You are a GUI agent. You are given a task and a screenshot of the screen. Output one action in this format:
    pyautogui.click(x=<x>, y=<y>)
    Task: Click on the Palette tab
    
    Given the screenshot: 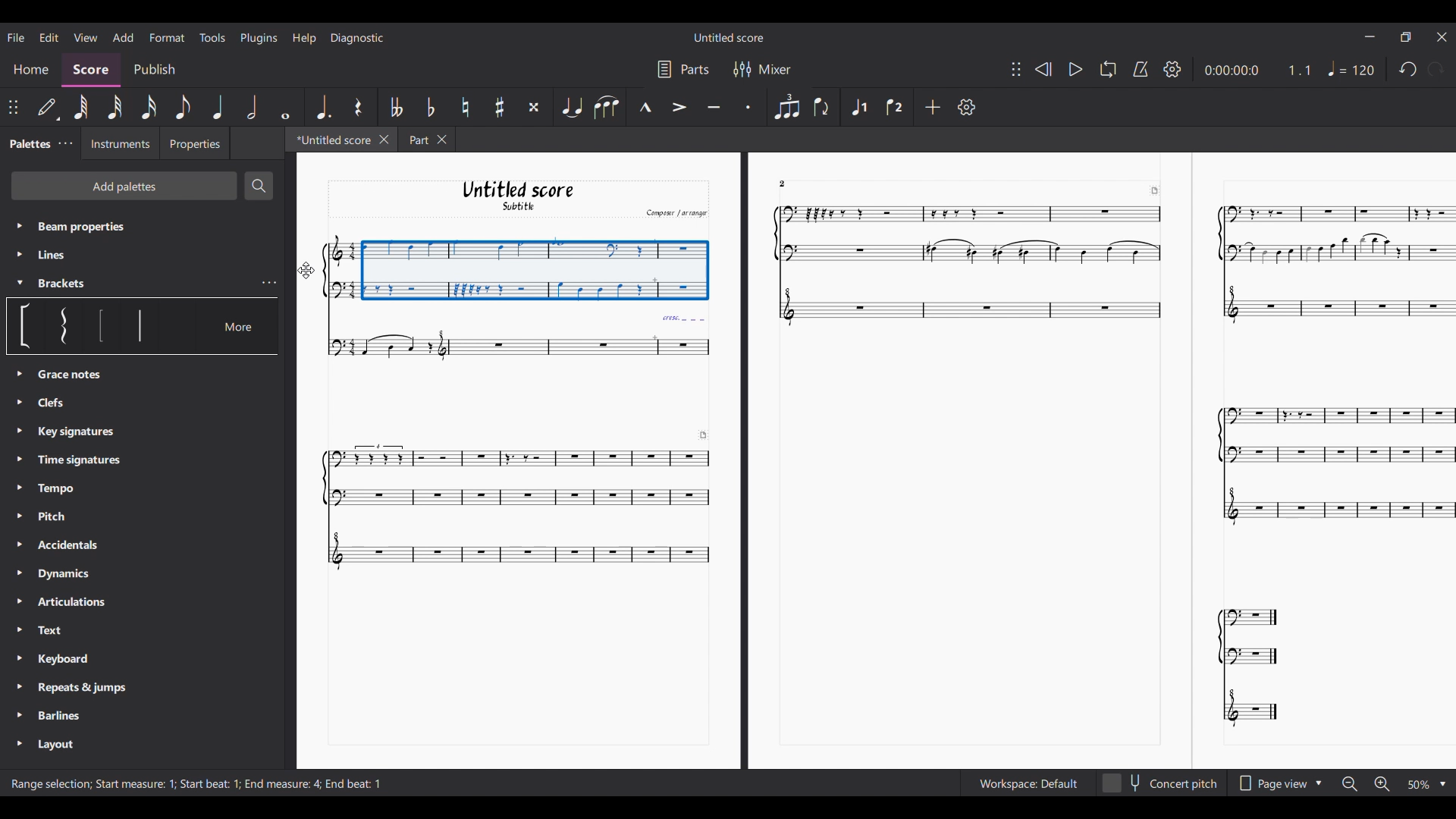 What is the action you would take?
    pyautogui.click(x=29, y=143)
    